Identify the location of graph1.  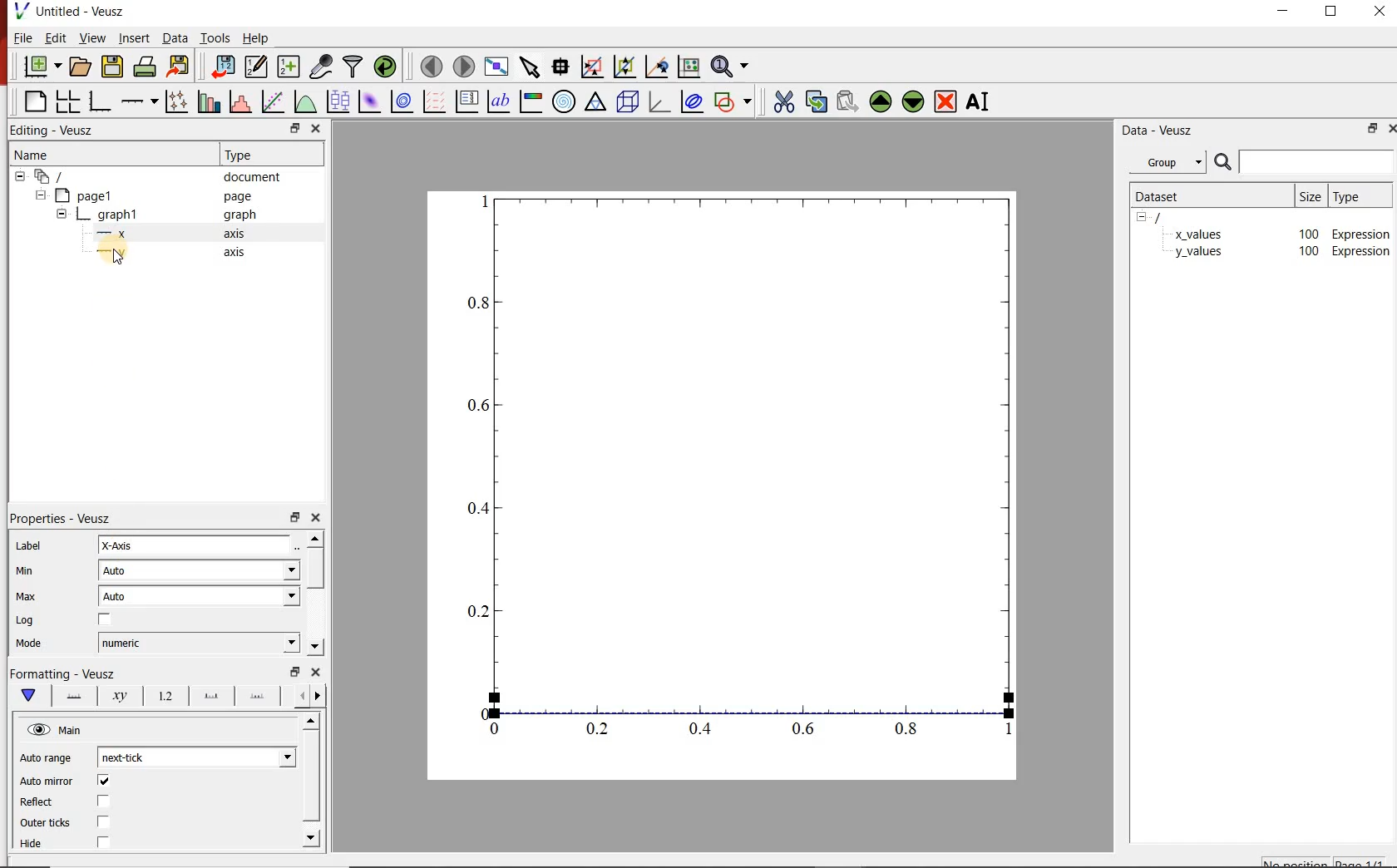
(120, 214).